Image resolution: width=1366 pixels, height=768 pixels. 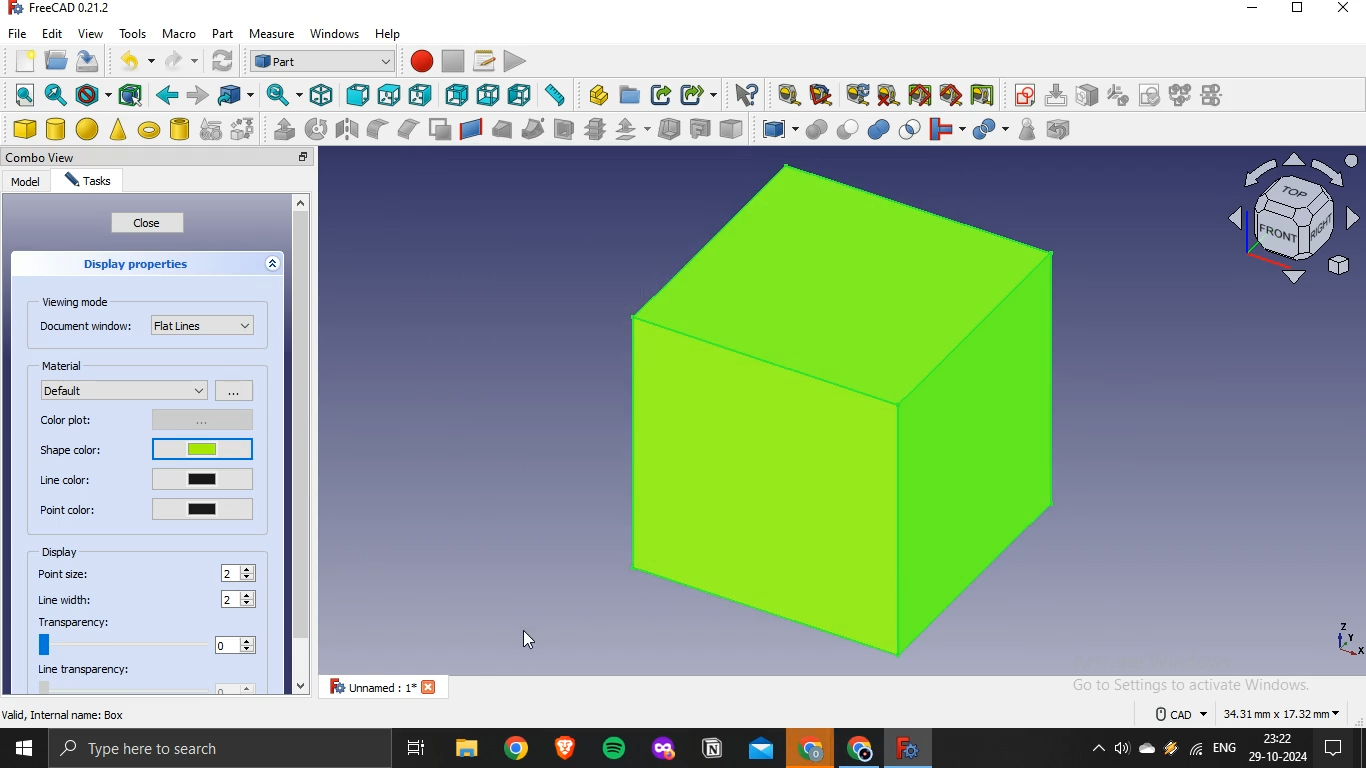 I want to click on rear, so click(x=458, y=93).